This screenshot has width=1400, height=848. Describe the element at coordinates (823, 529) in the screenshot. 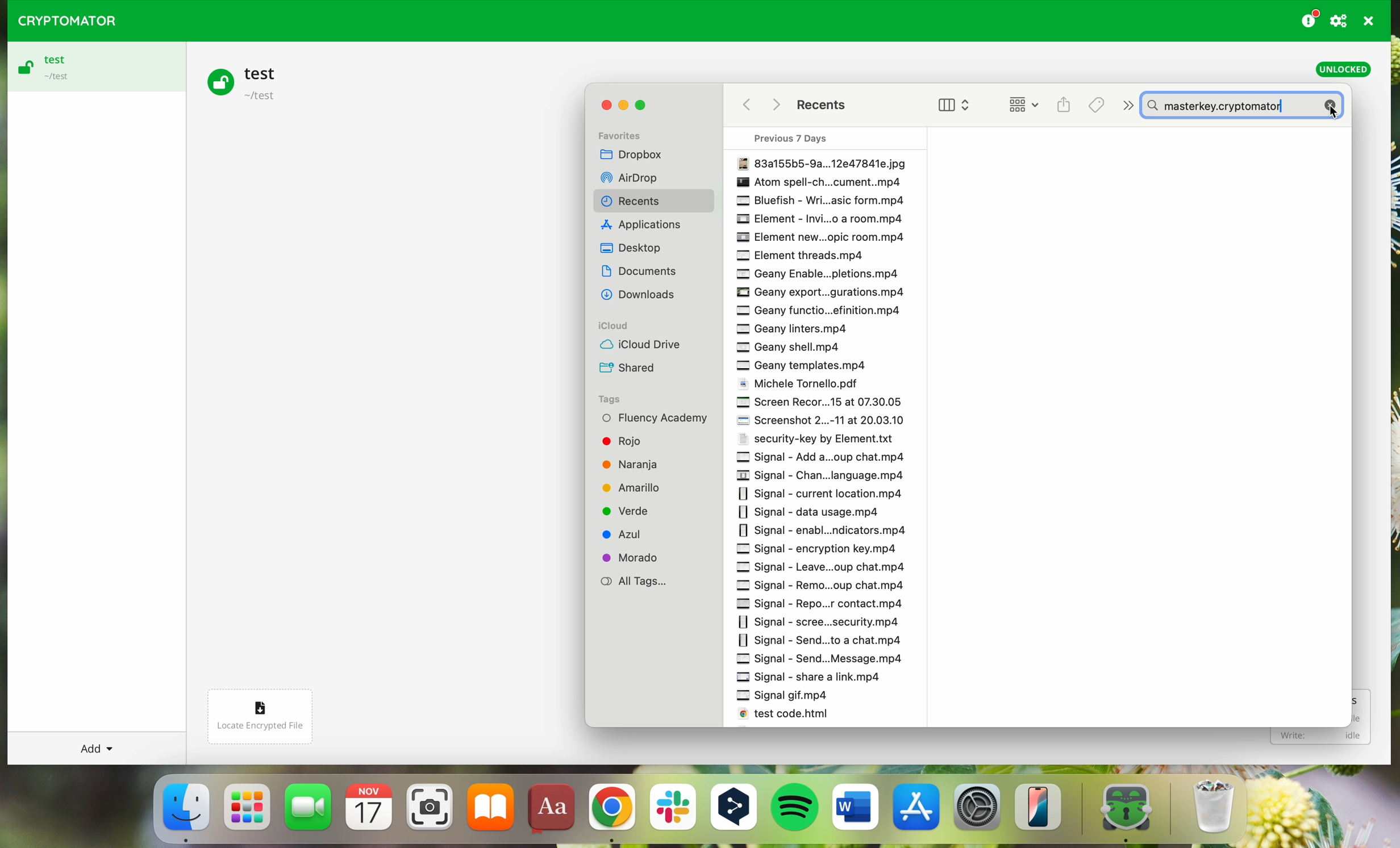

I see `Signal enable notifications` at that location.